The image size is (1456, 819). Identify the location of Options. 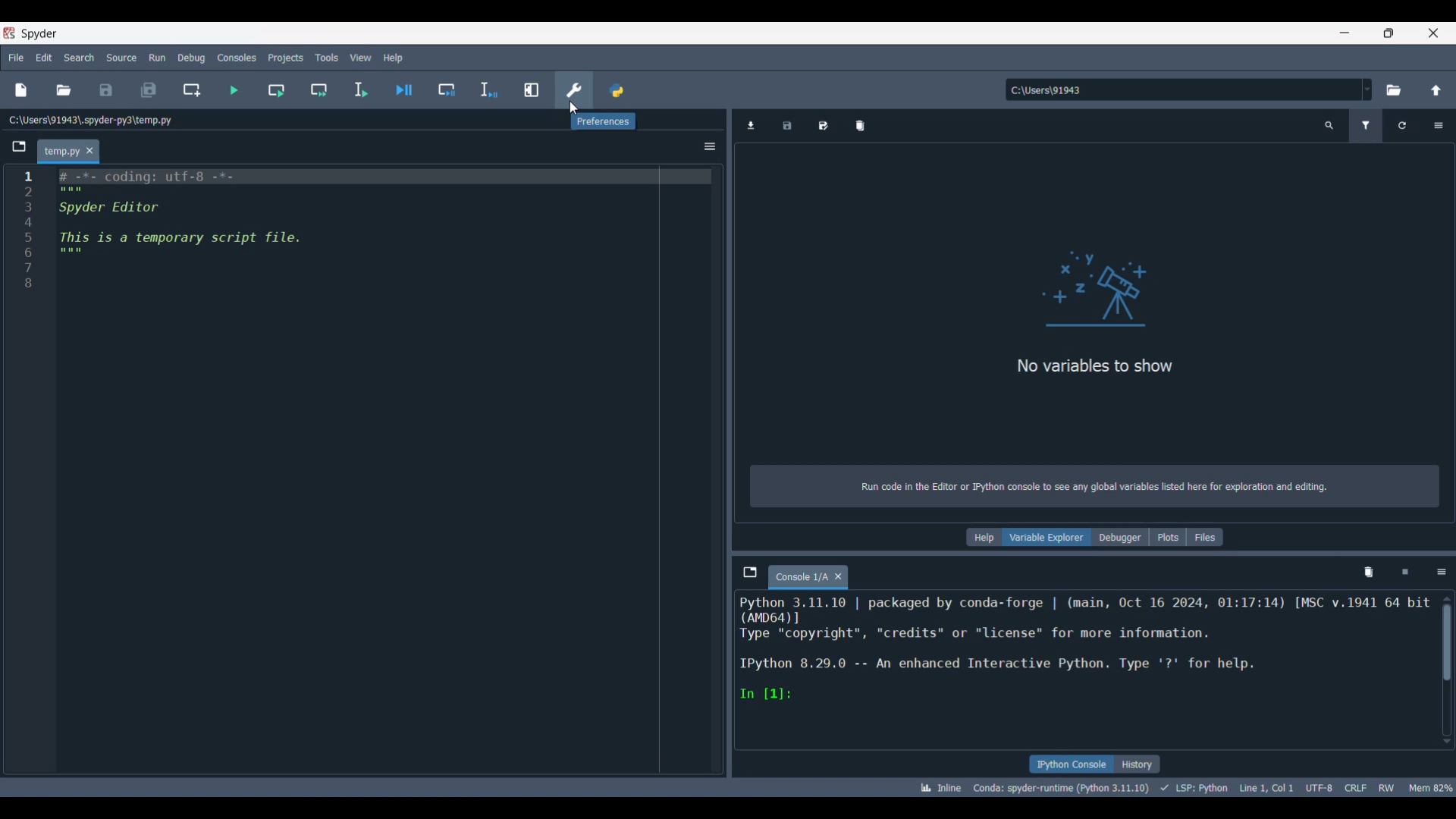
(1439, 126).